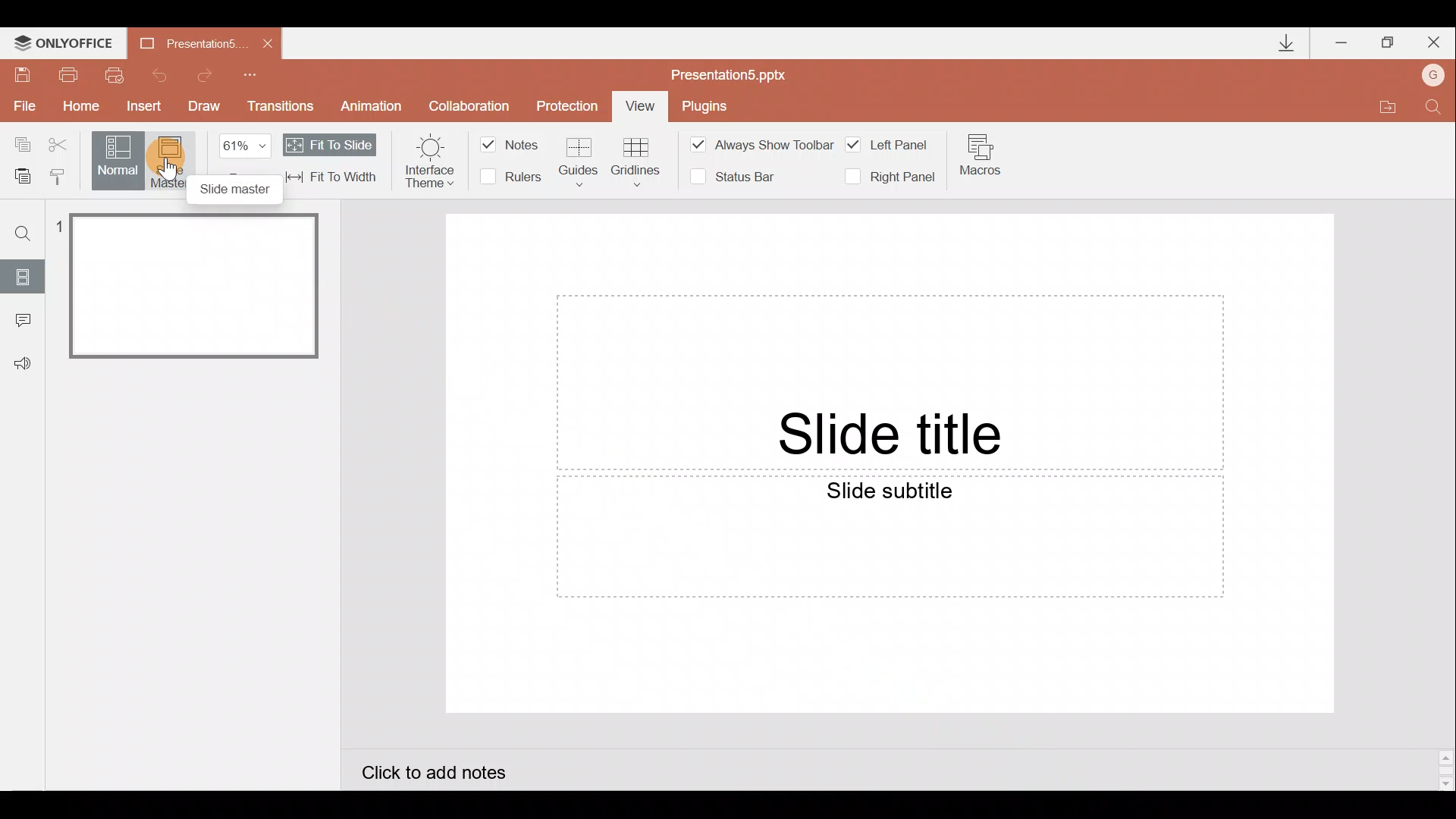 Image resolution: width=1456 pixels, height=819 pixels. Describe the element at coordinates (114, 76) in the screenshot. I see `Quick print` at that location.